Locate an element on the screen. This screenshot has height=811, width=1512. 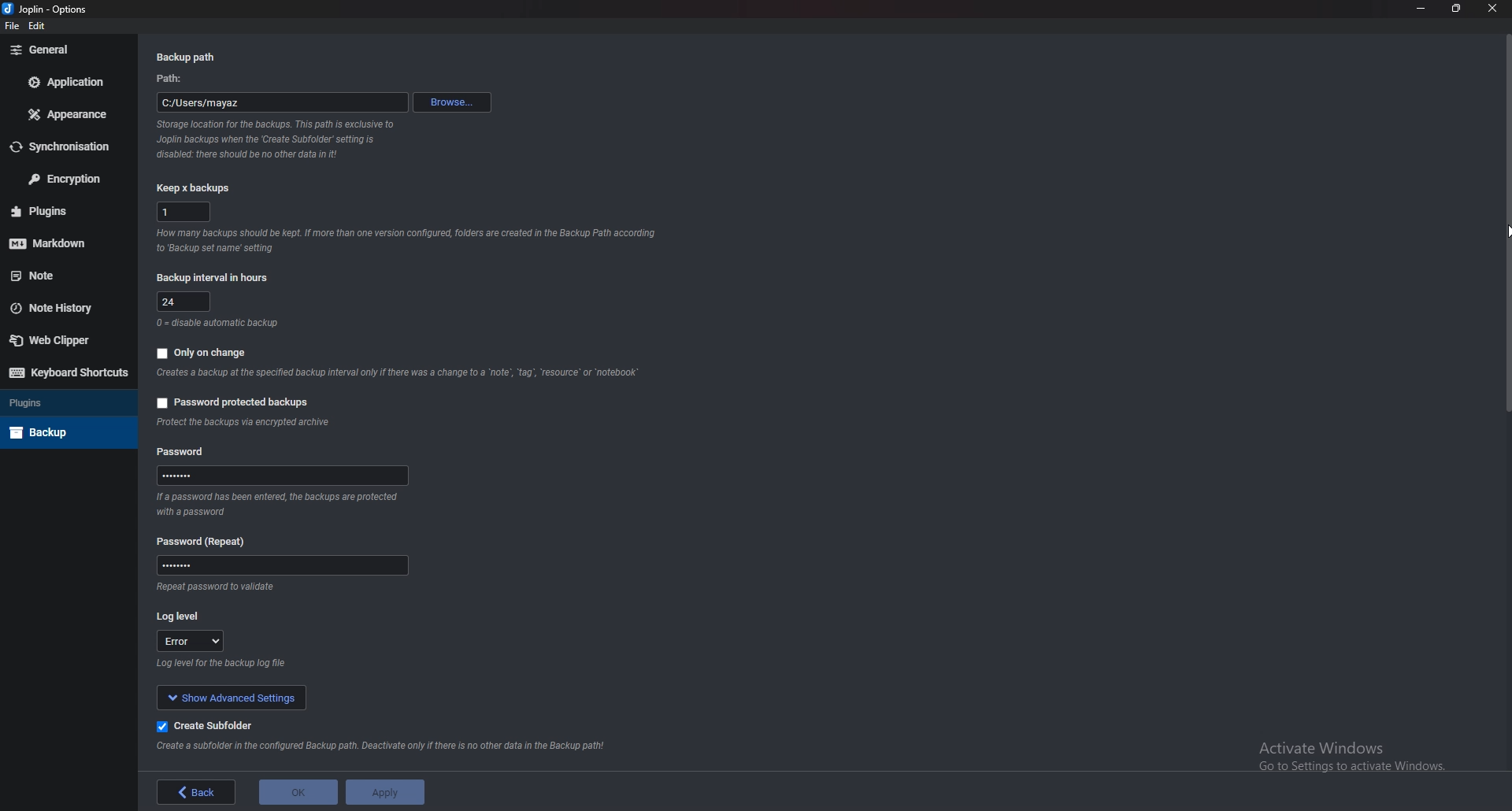
error is located at coordinates (190, 639).